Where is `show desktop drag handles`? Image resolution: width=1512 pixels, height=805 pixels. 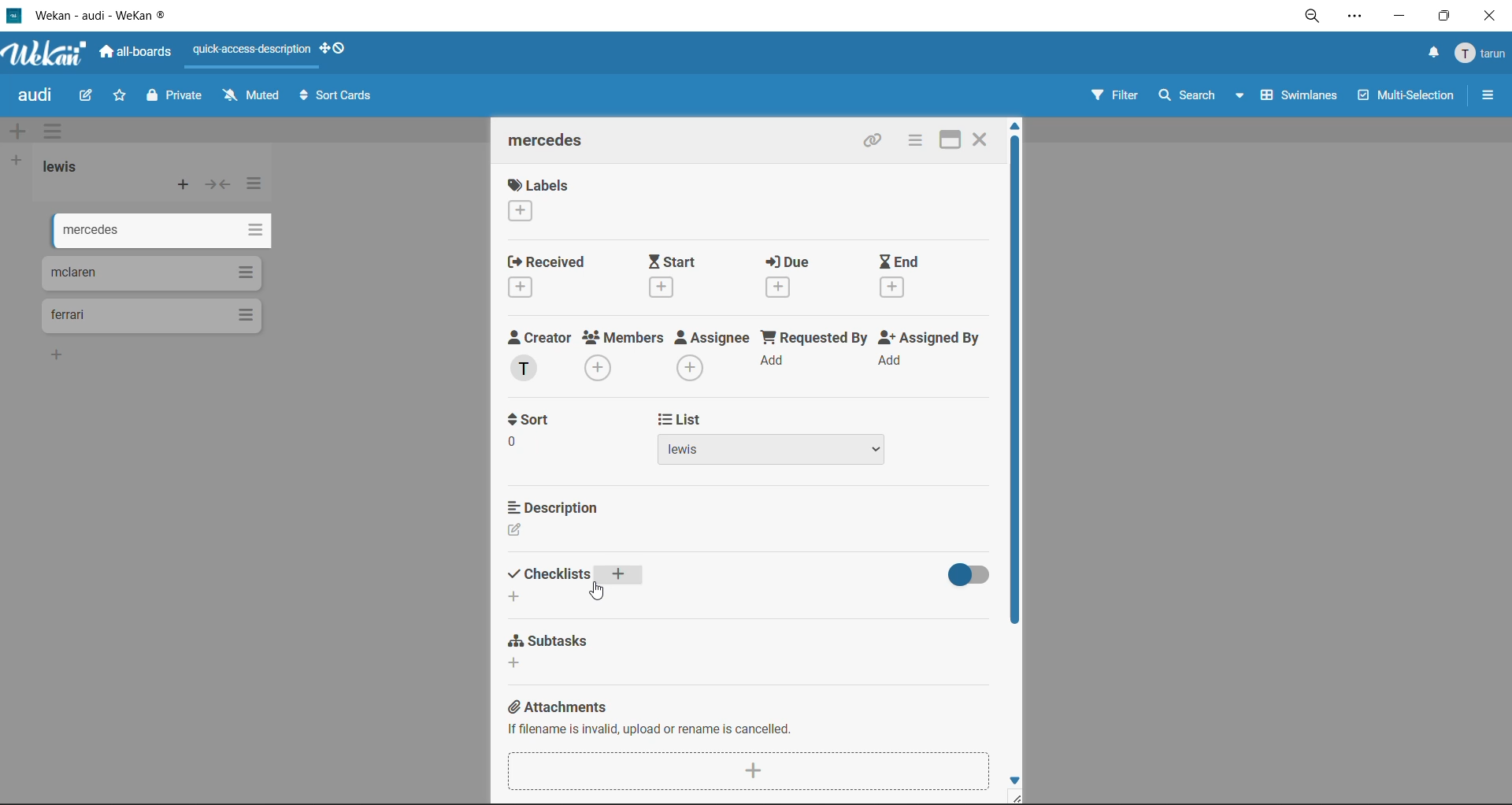
show desktop drag handles is located at coordinates (339, 48).